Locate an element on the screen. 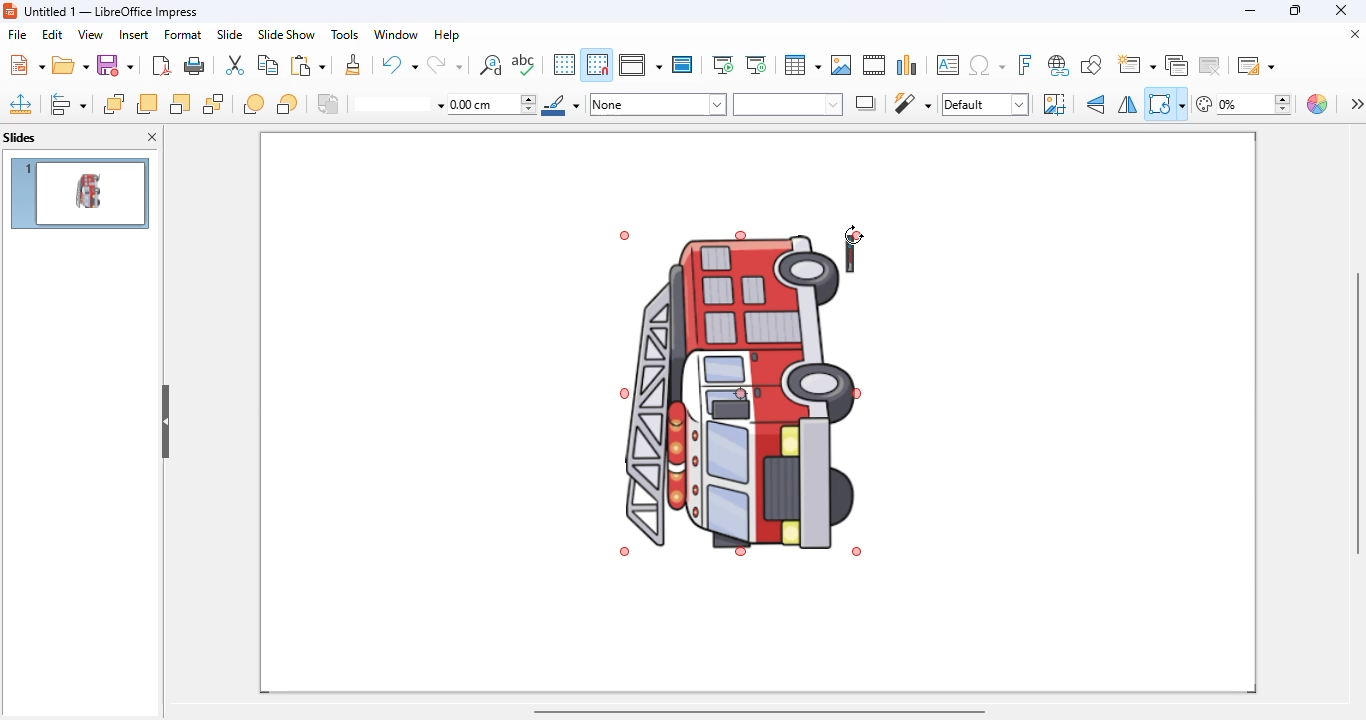 The image size is (1366, 720). master slide is located at coordinates (683, 64).